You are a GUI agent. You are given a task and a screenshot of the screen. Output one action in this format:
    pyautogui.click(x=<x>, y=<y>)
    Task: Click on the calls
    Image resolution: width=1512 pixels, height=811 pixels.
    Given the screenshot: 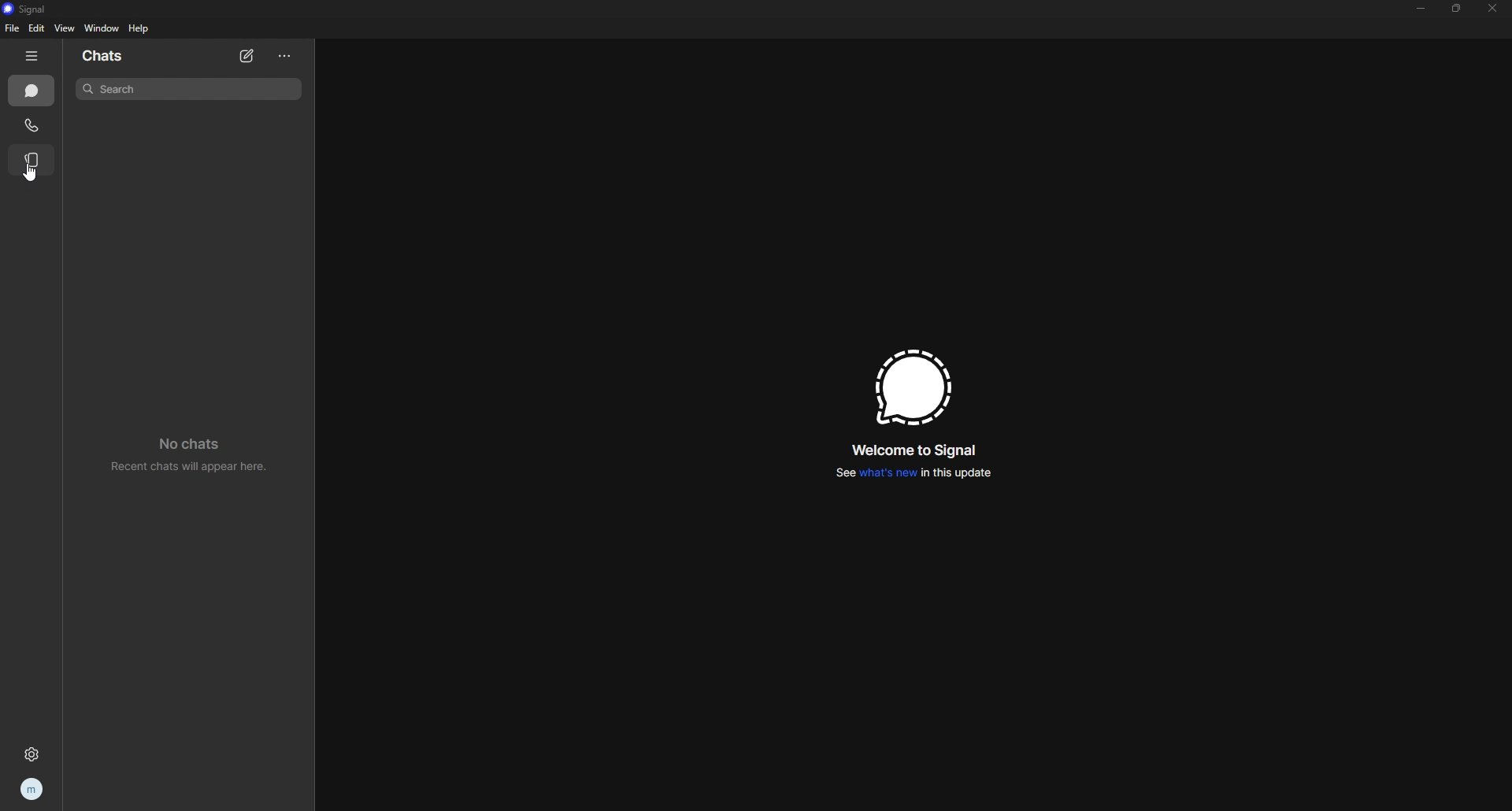 What is the action you would take?
    pyautogui.click(x=32, y=125)
    